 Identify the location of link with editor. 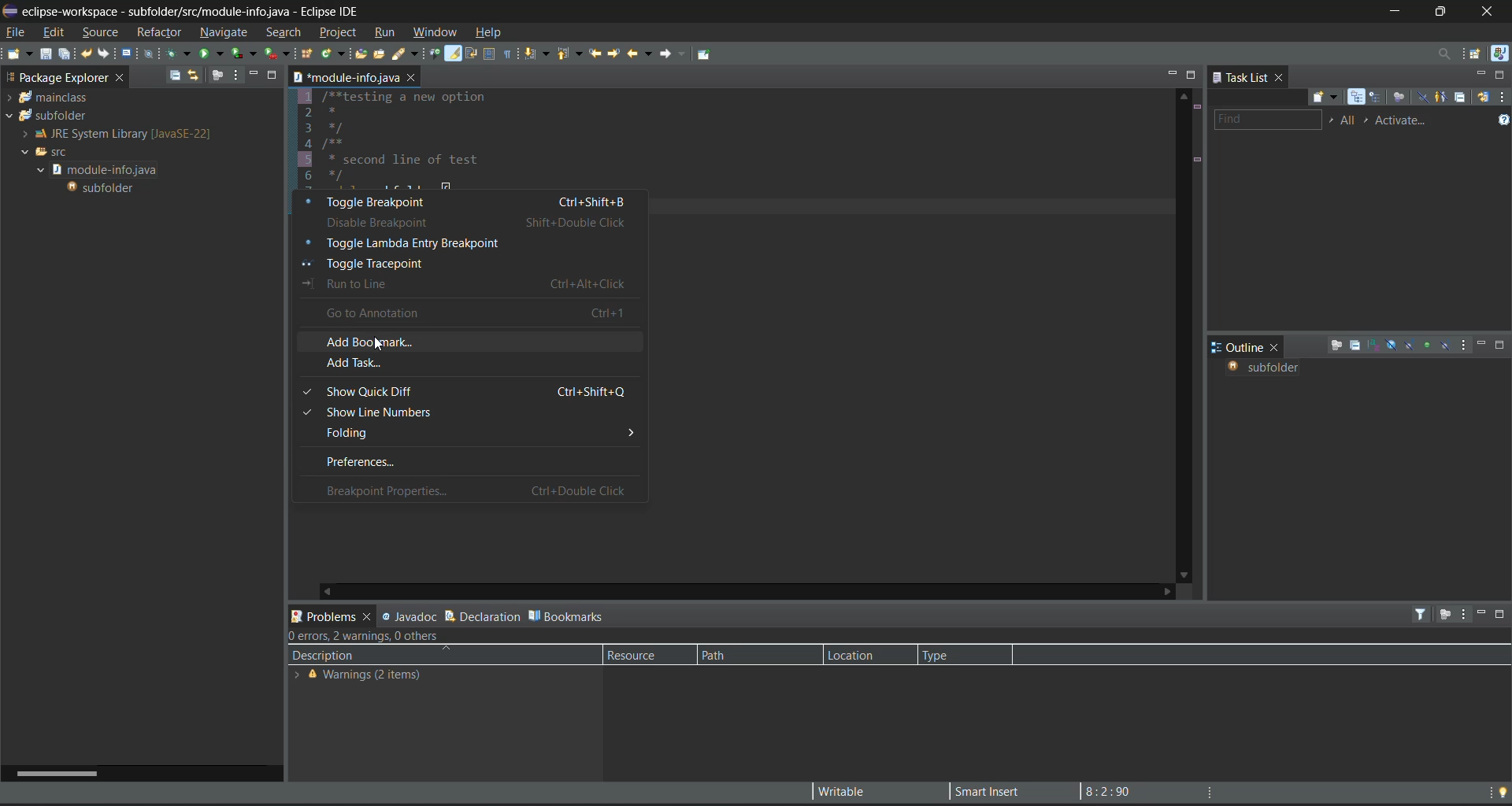
(195, 76).